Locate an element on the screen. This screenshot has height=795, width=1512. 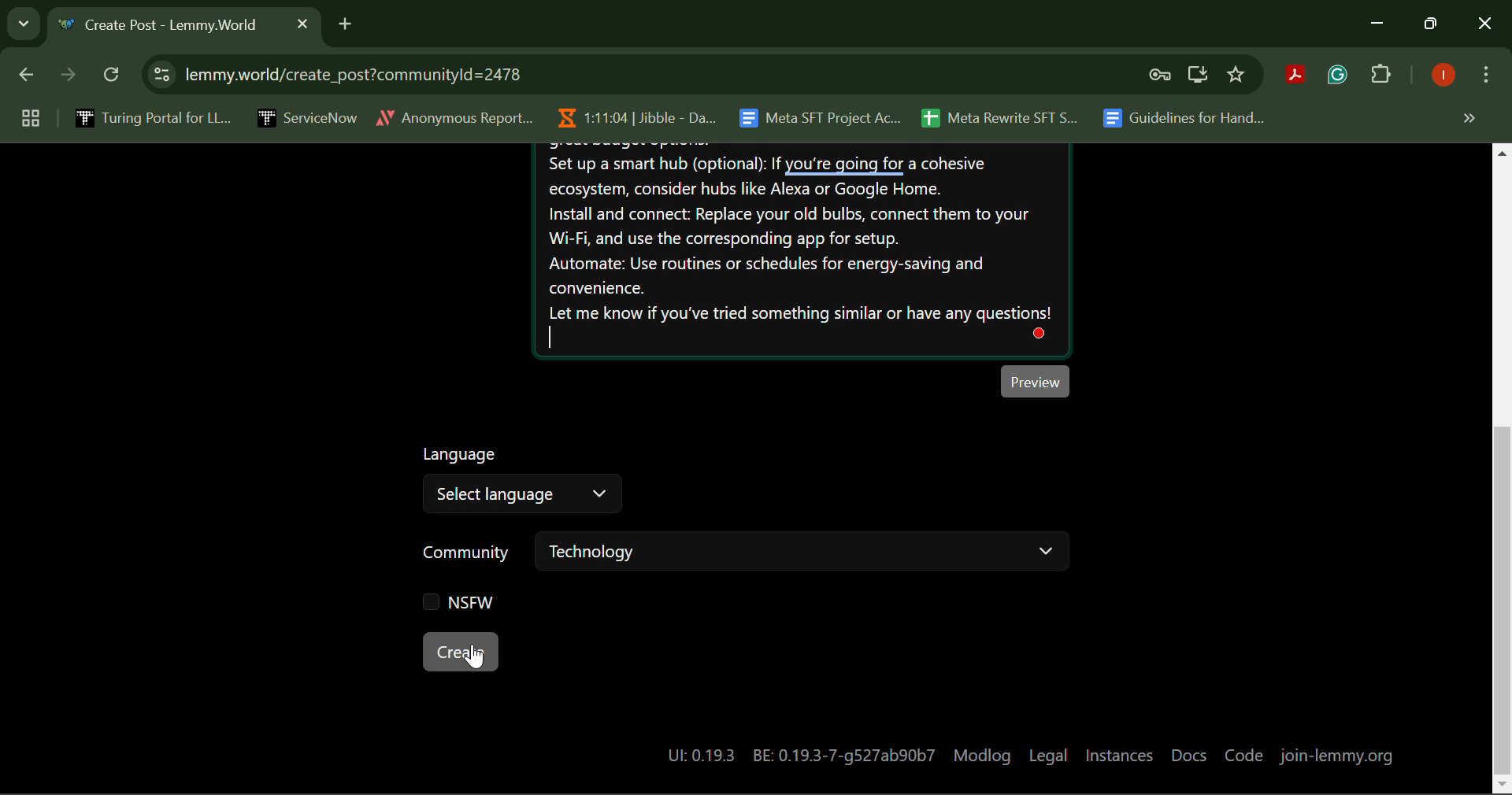
Docs is located at coordinates (1190, 749).